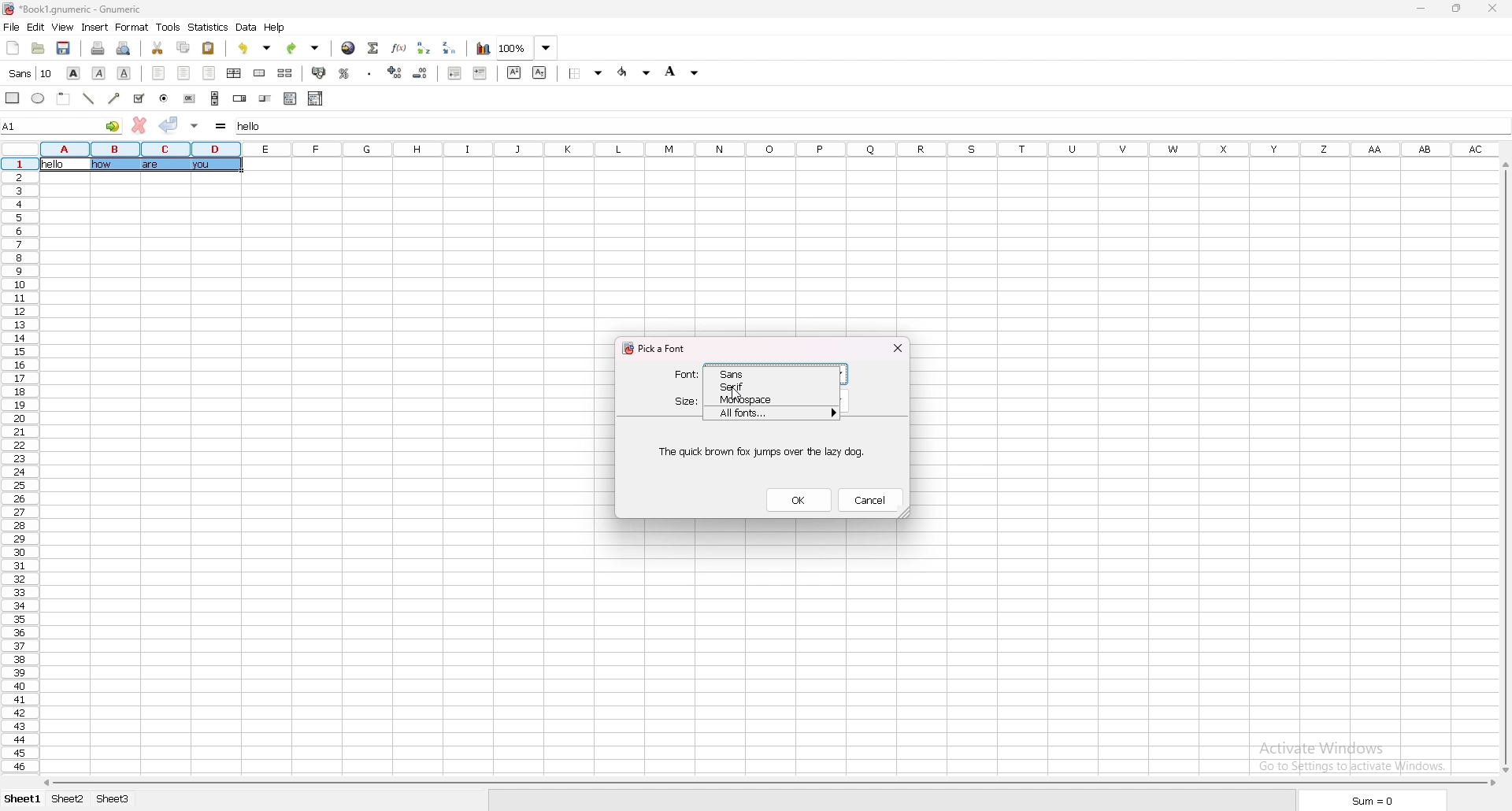 This screenshot has height=811, width=1512. I want to click on arrowed line, so click(113, 98).